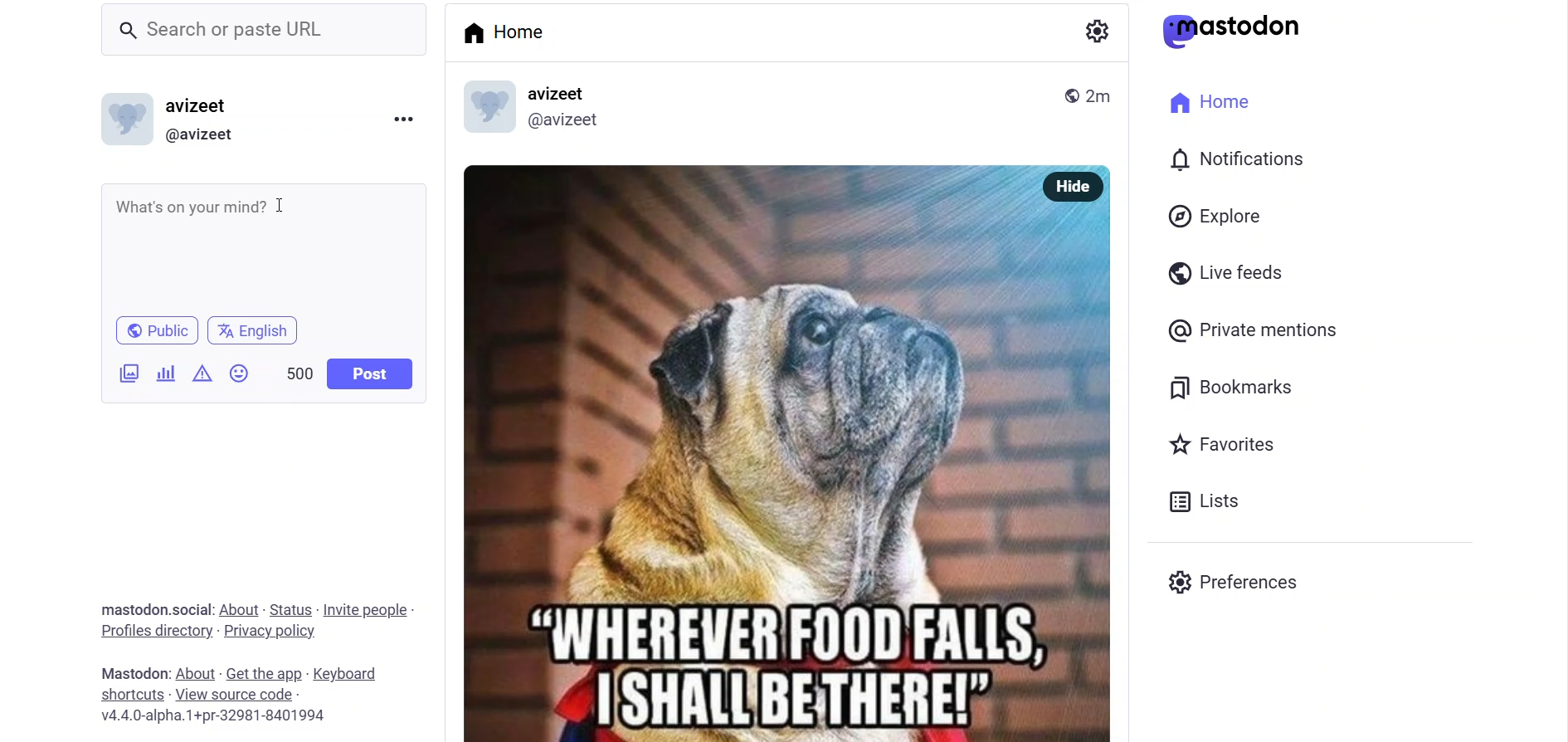 The height and width of the screenshot is (742, 1568). I want to click on avizeet, so click(196, 108).